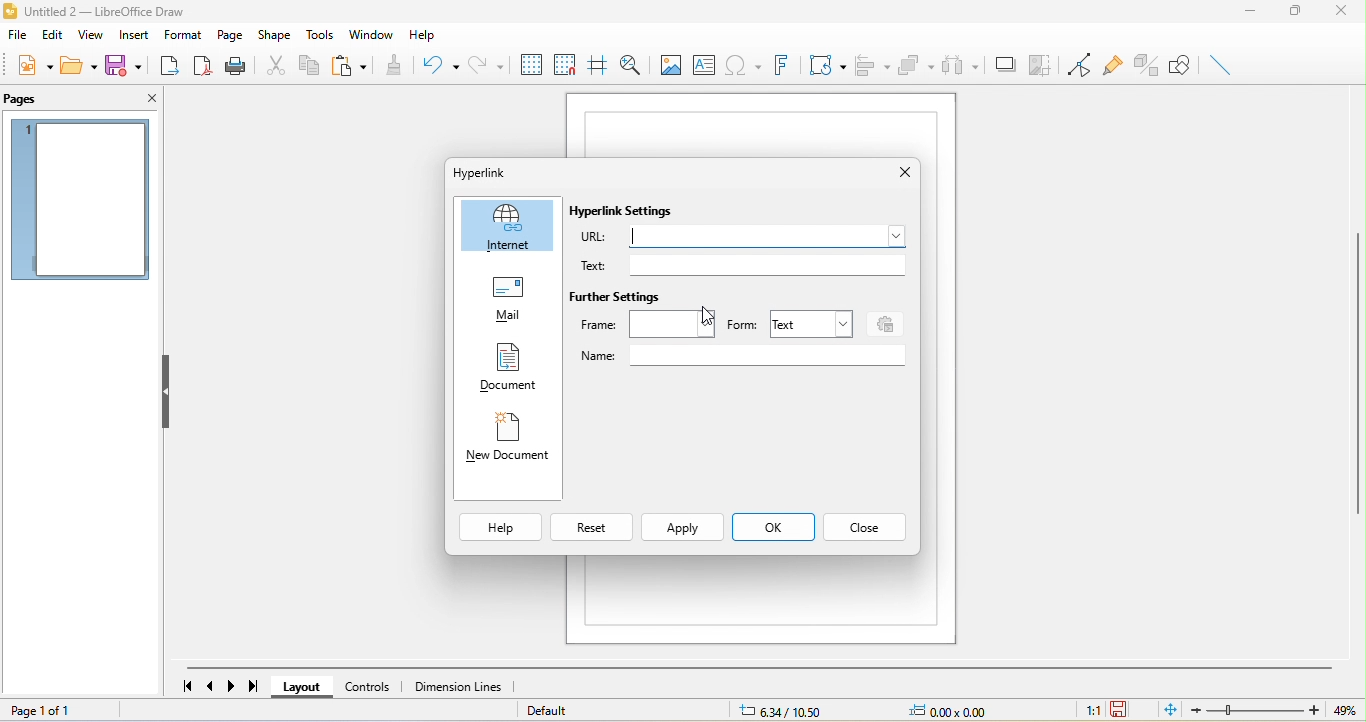 This screenshot has height=722, width=1366. Describe the element at coordinates (764, 667) in the screenshot. I see `horizontal scroll bar` at that location.